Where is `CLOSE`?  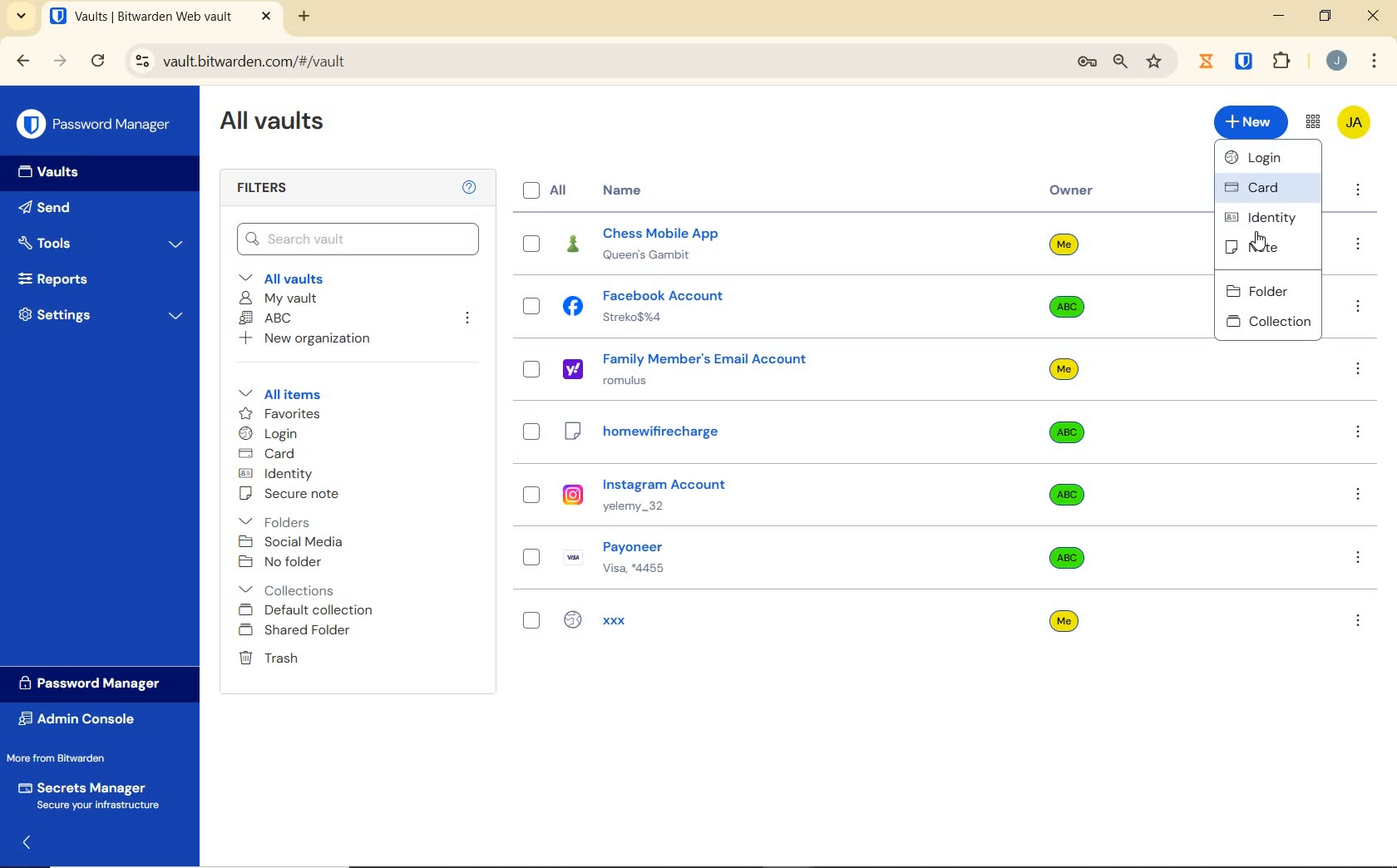 CLOSE is located at coordinates (1375, 20).